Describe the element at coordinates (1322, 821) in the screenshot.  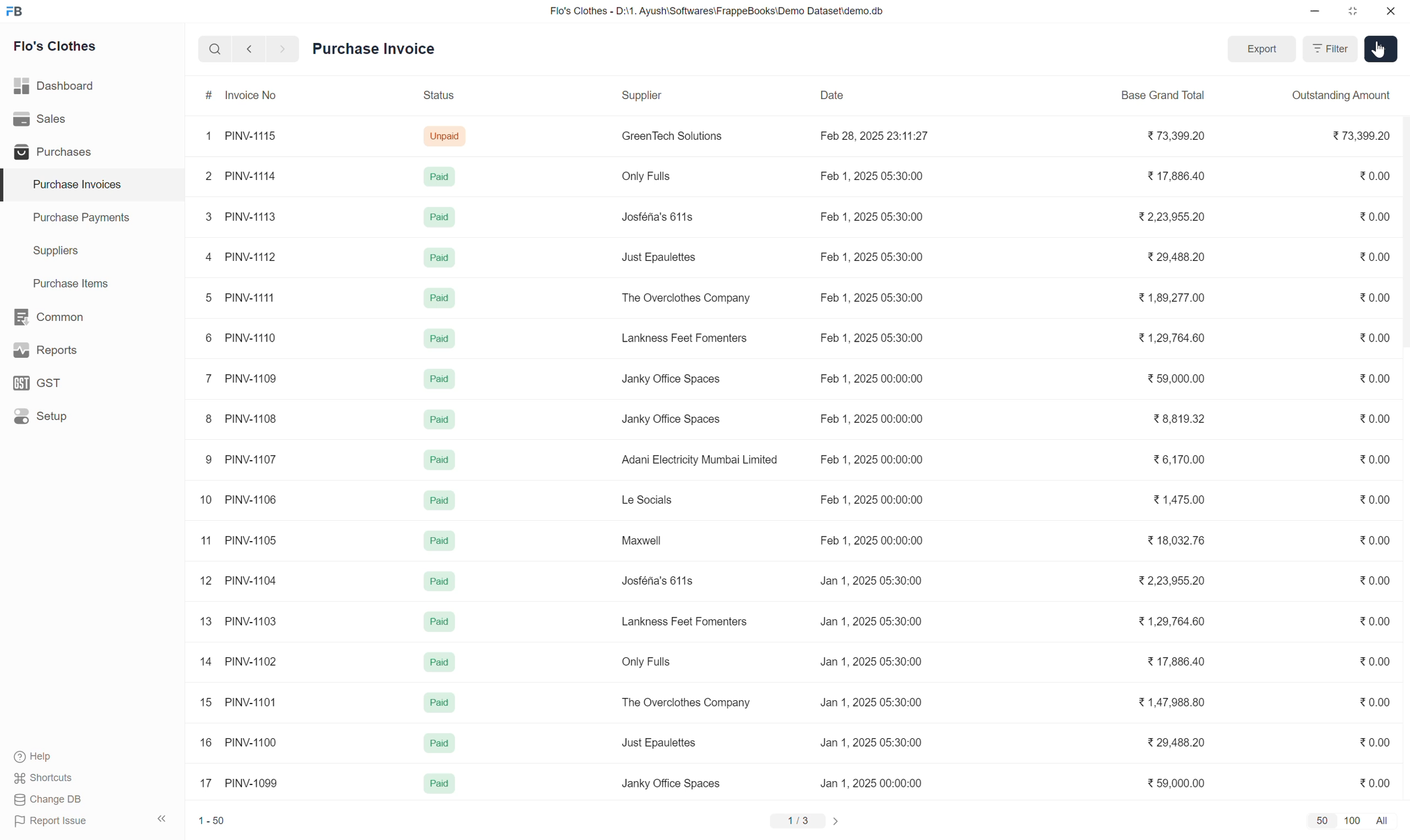
I see `50` at that location.